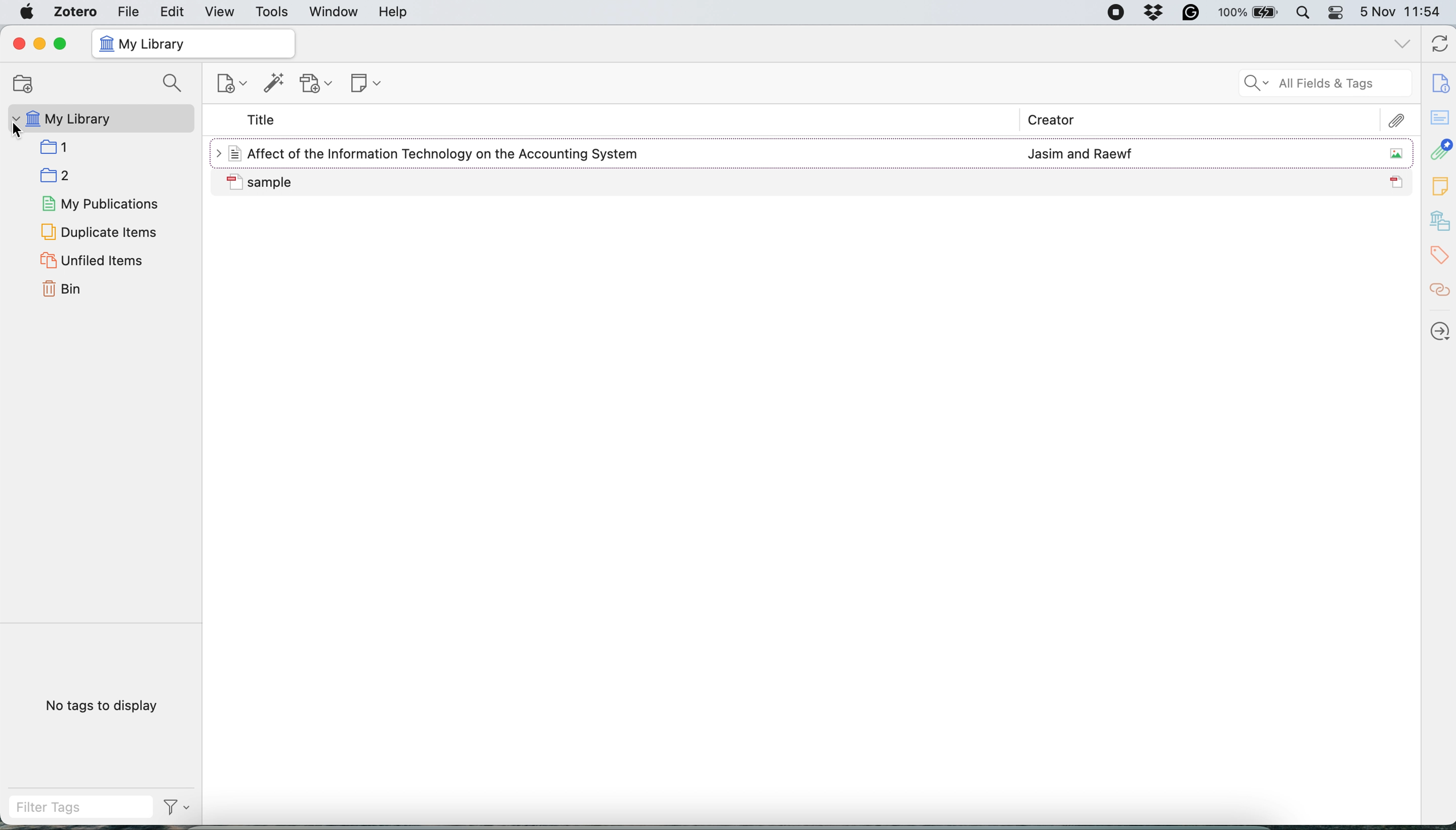 The width and height of the screenshot is (1456, 830). I want to click on tools, so click(271, 12).